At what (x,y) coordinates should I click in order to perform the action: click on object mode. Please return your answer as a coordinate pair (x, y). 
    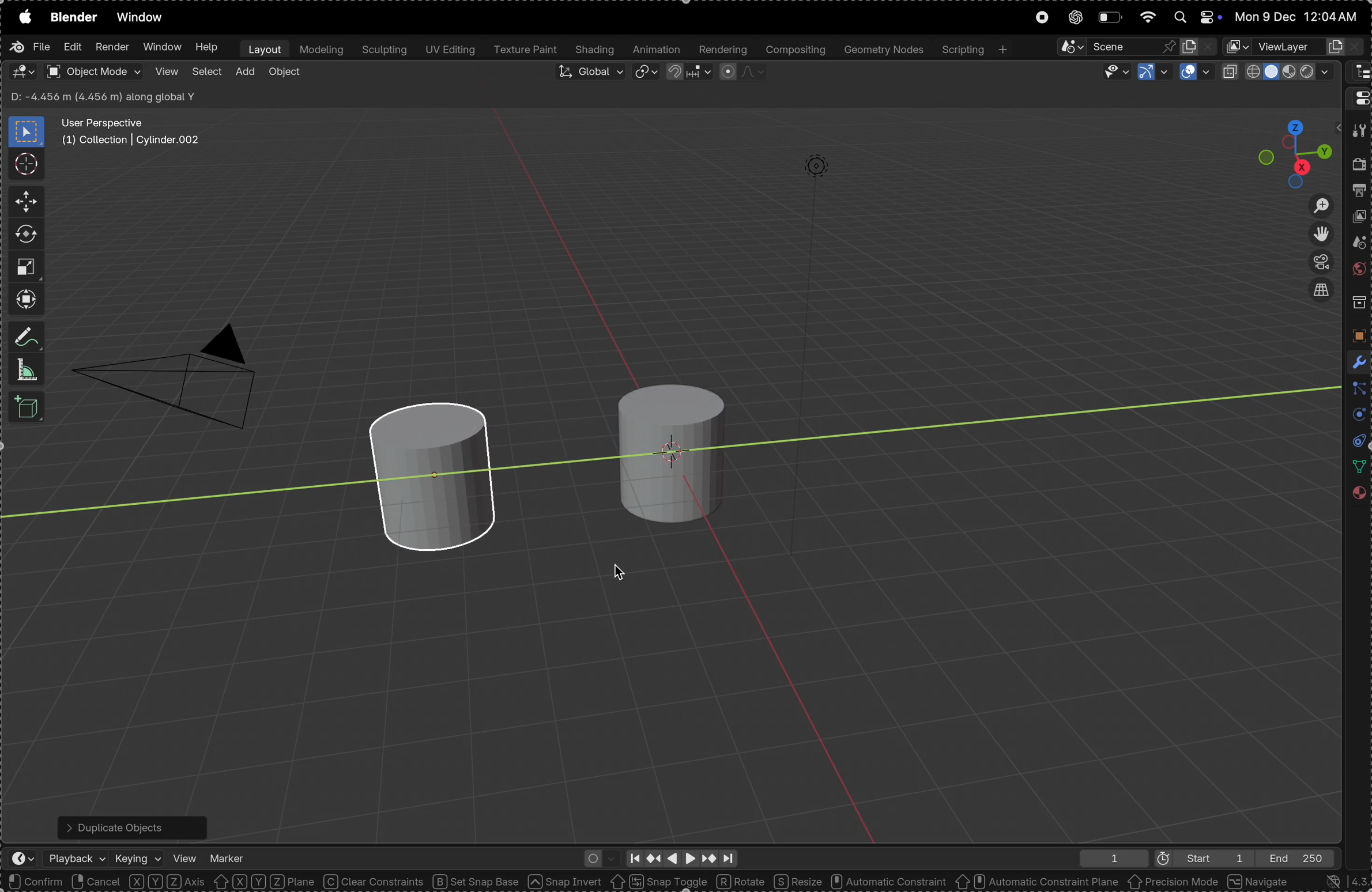
    Looking at the image, I should click on (93, 71).